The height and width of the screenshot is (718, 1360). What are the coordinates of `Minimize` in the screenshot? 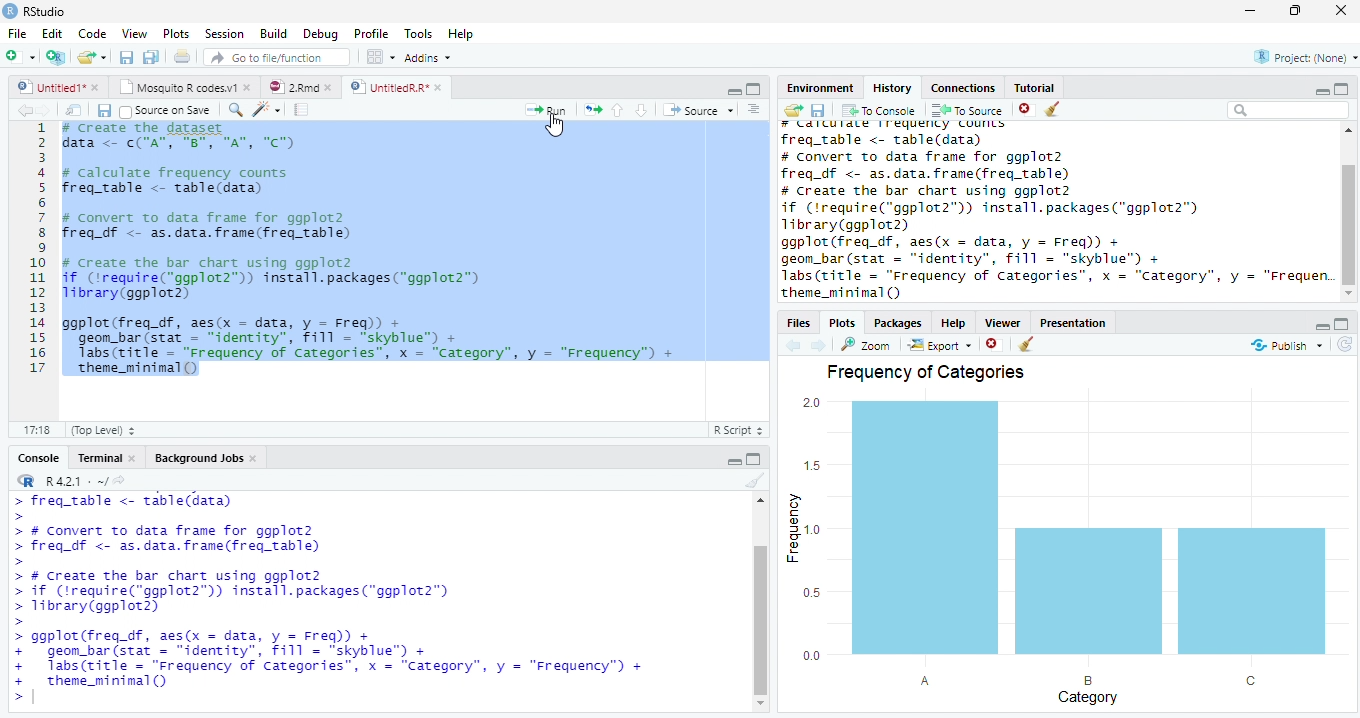 It's located at (1321, 92).